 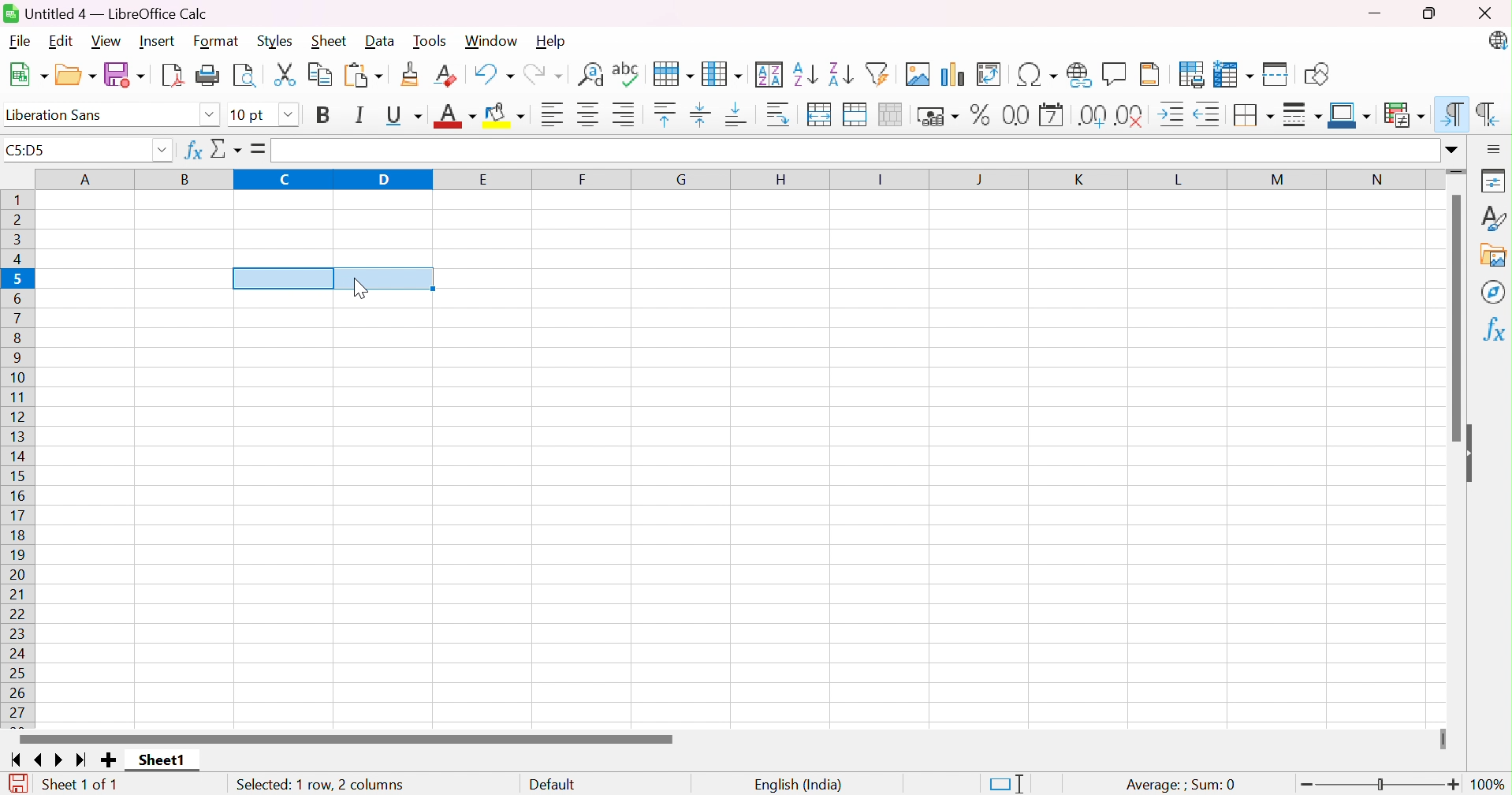 I want to click on Column Name, so click(x=736, y=180).